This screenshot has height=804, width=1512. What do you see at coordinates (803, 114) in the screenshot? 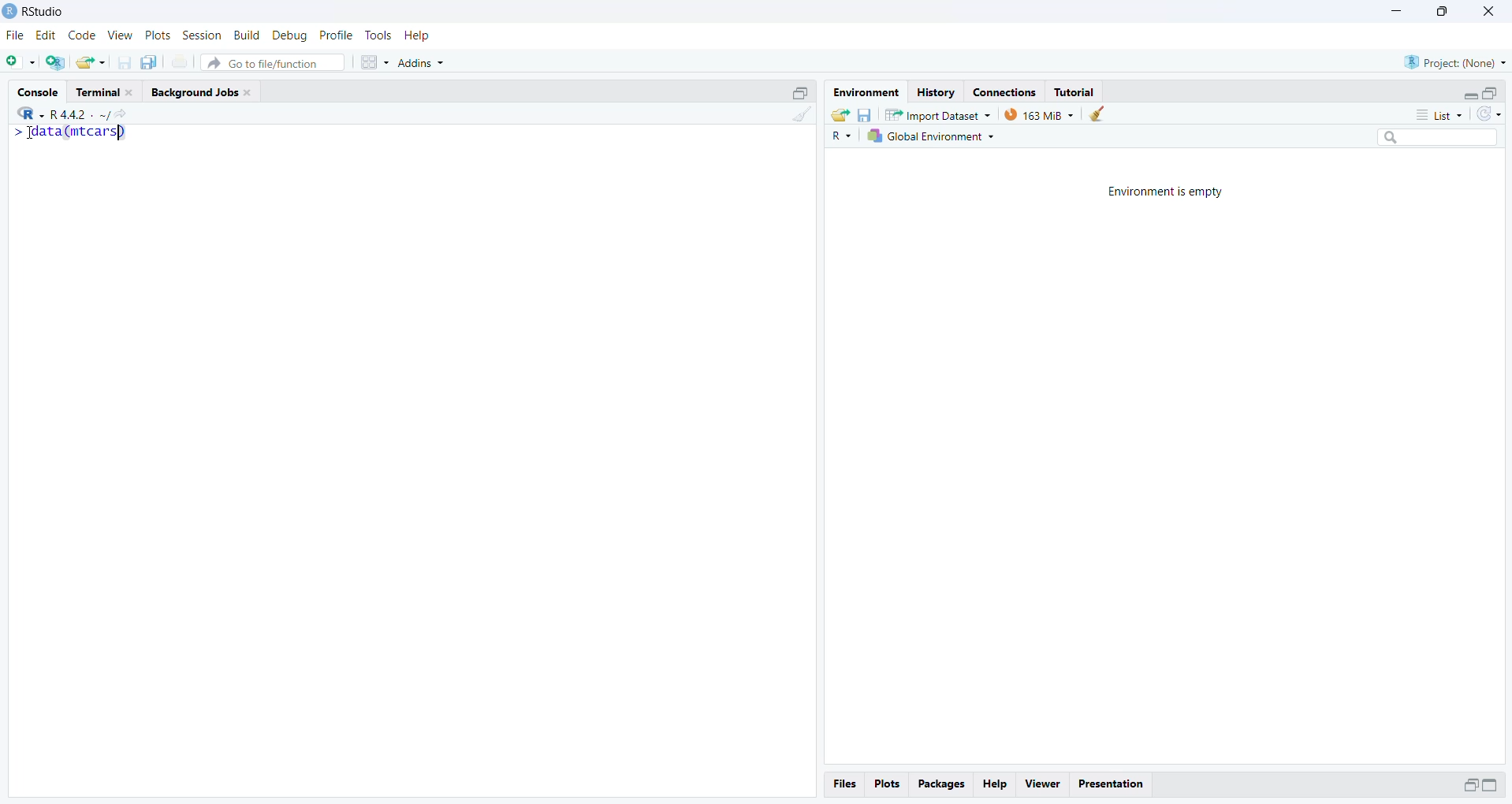
I see `clean` at bounding box center [803, 114].